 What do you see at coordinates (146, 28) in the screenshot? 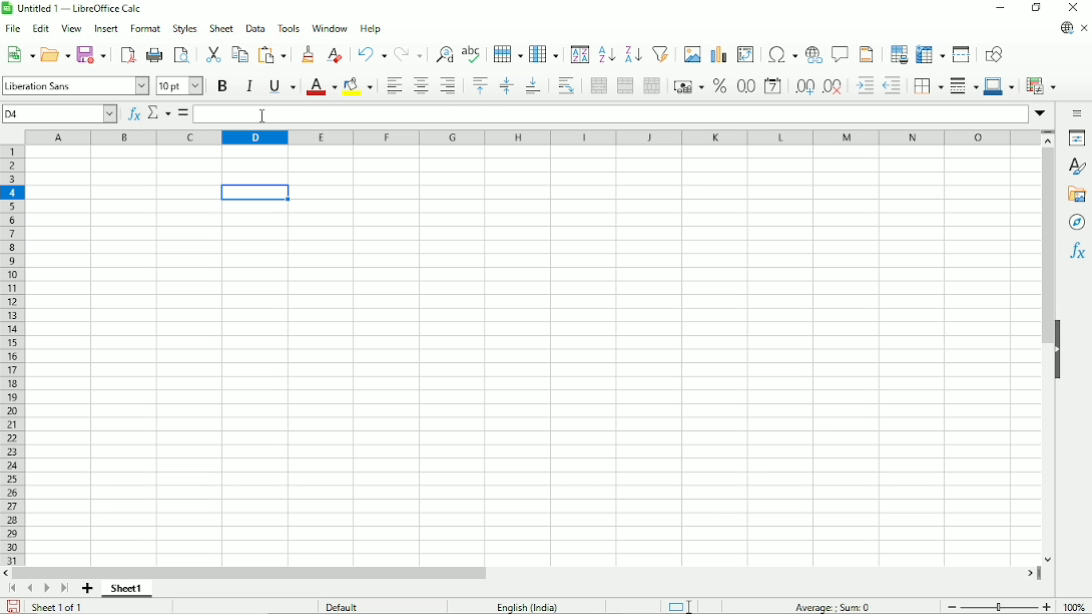
I see `Format` at bounding box center [146, 28].